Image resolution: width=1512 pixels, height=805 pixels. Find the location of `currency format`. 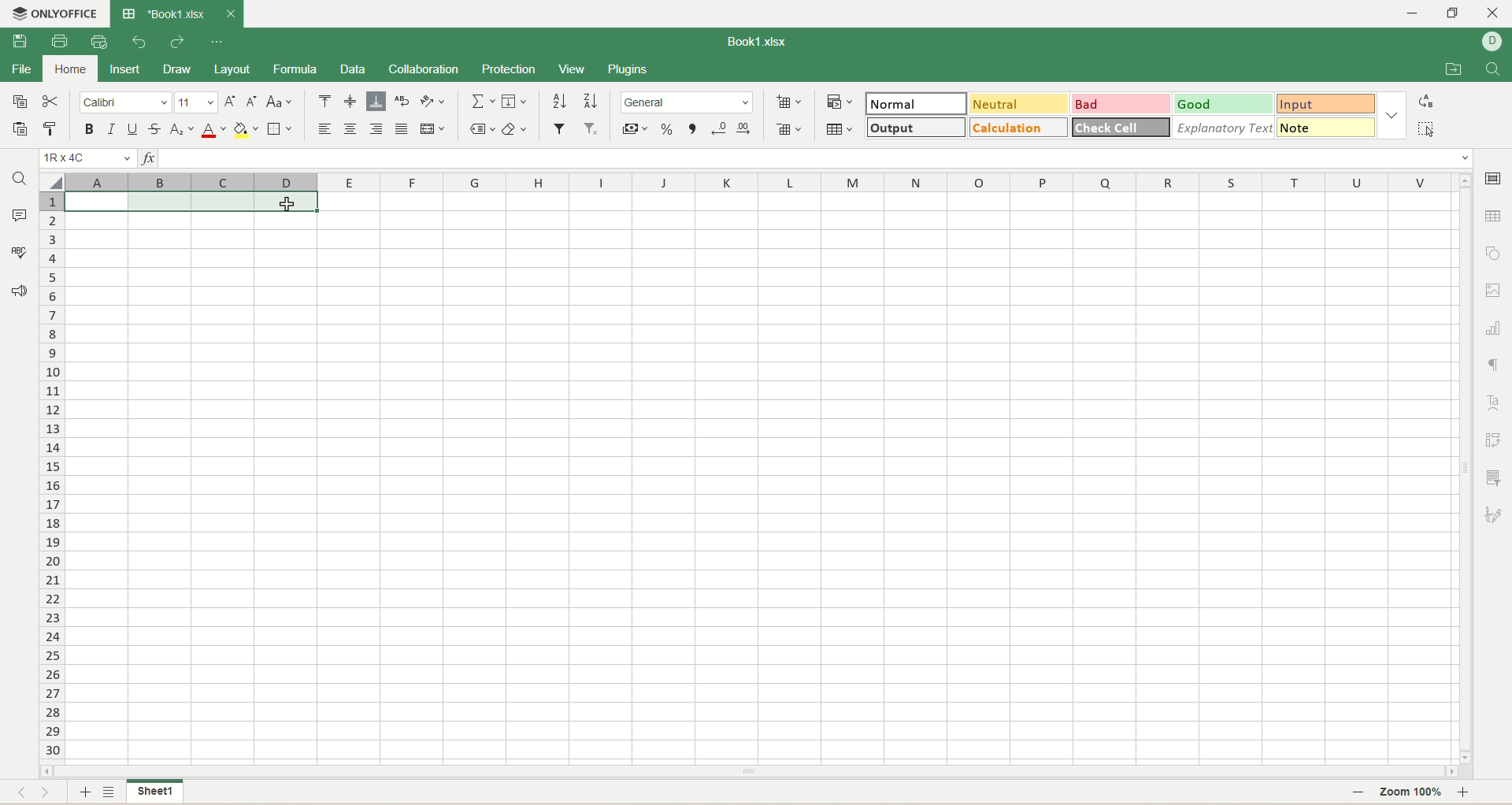

currency format is located at coordinates (636, 127).